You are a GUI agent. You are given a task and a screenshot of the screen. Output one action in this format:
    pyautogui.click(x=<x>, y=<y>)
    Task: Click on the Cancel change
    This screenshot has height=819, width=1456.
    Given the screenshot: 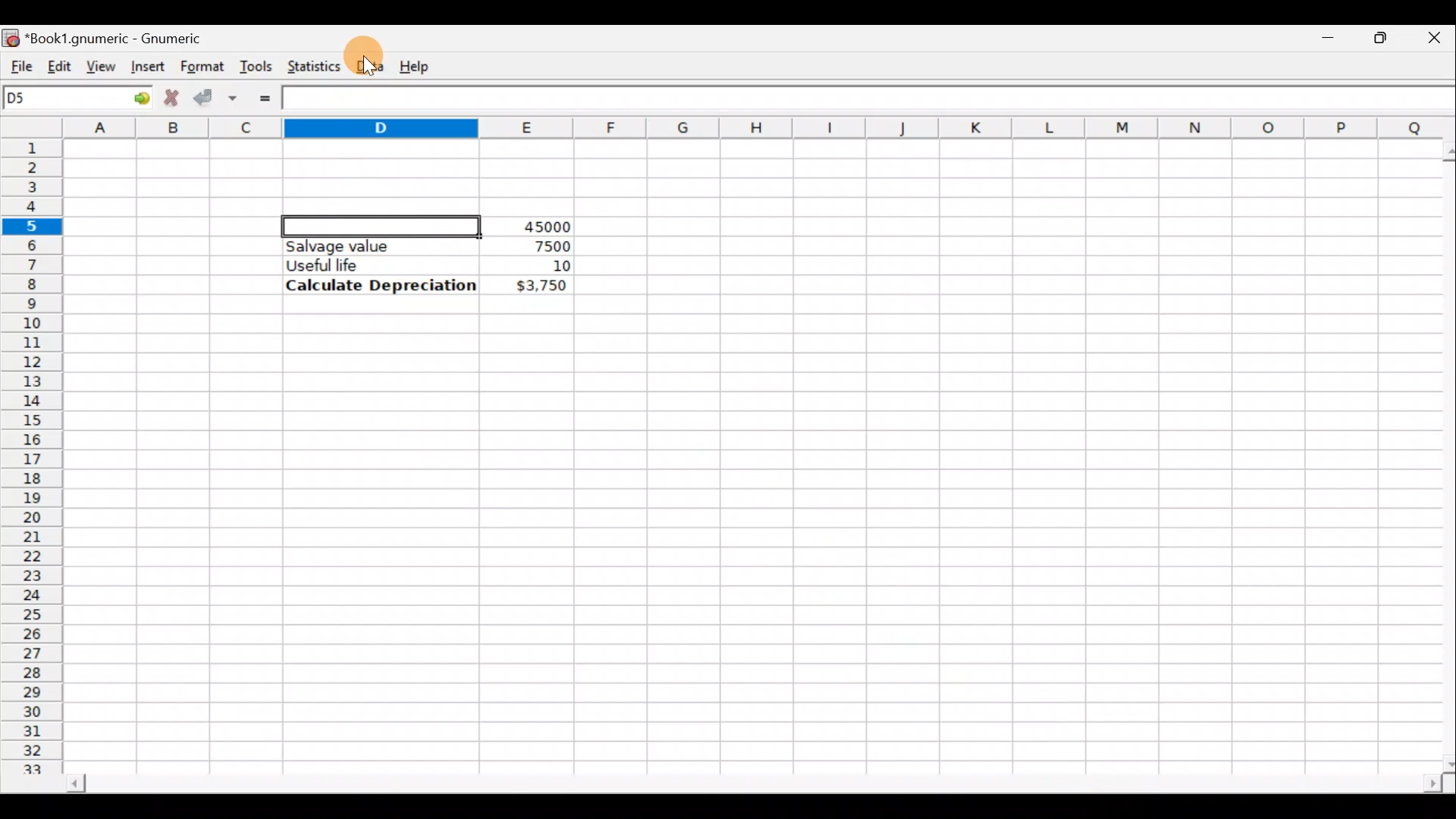 What is the action you would take?
    pyautogui.click(x=170, y=96)
    